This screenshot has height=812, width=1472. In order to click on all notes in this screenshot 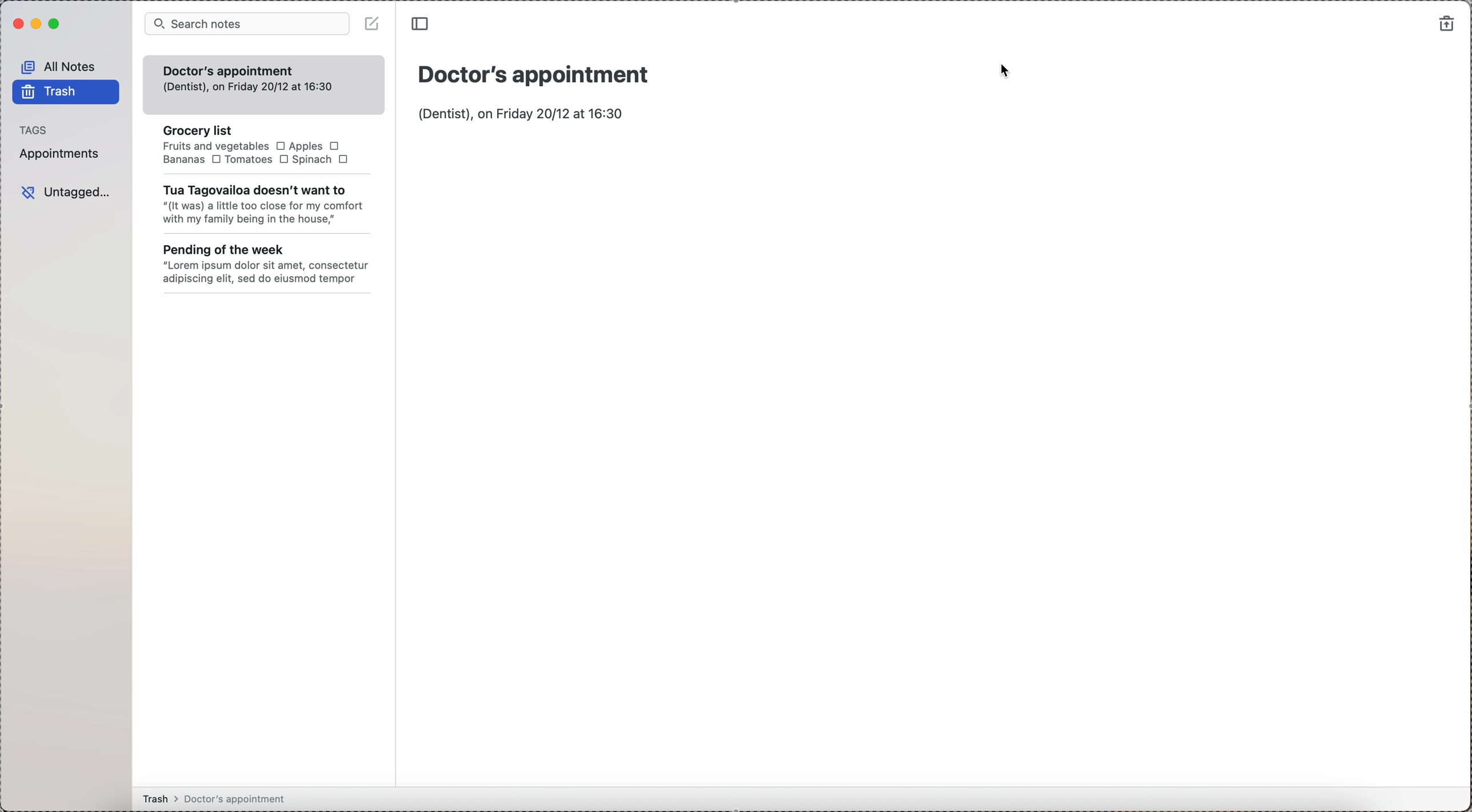, I will do `click(59, 65)`.